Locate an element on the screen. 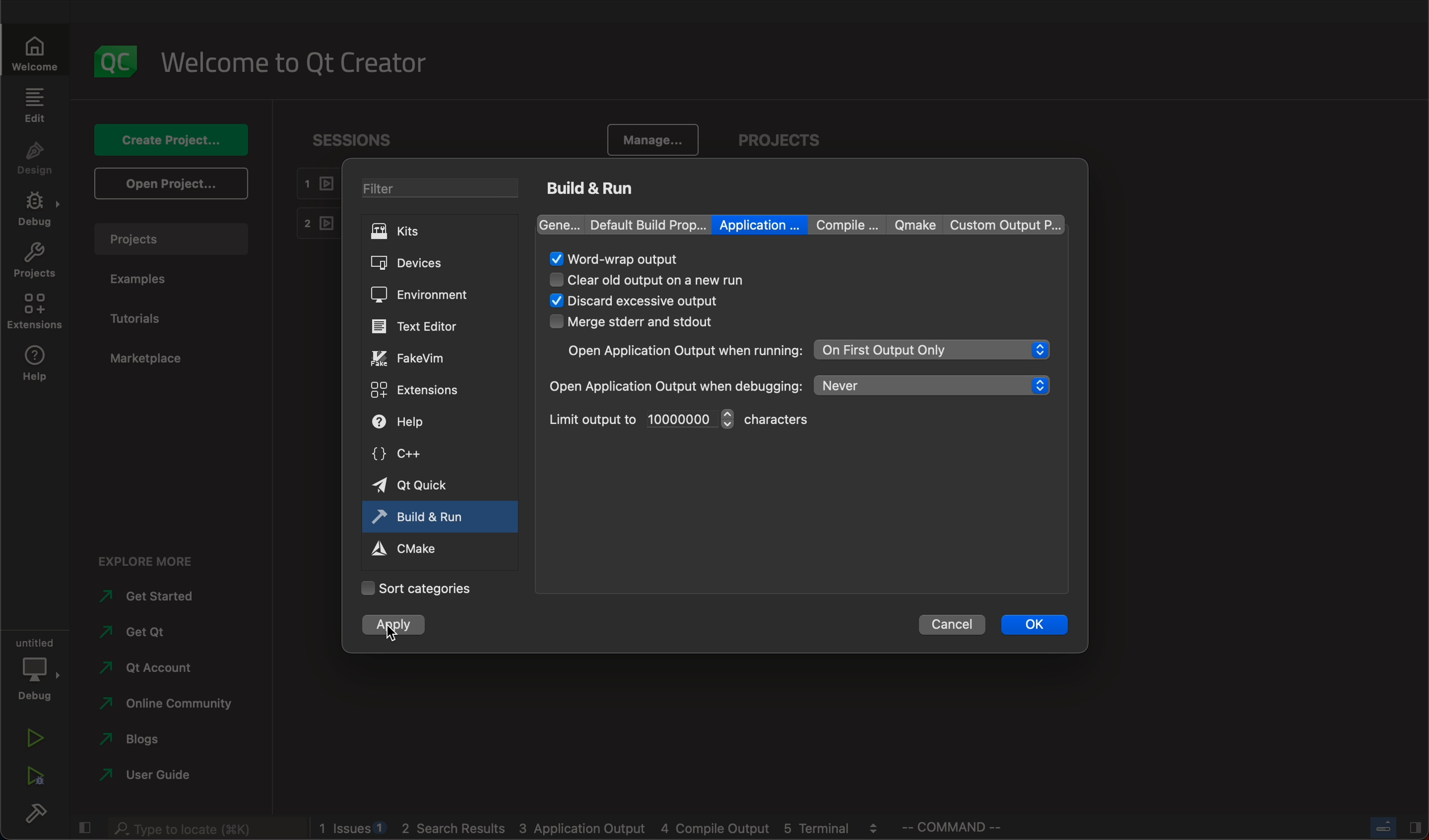 This screenshot has height=840, width=1429. extensions is located at coordinates (428, 389).